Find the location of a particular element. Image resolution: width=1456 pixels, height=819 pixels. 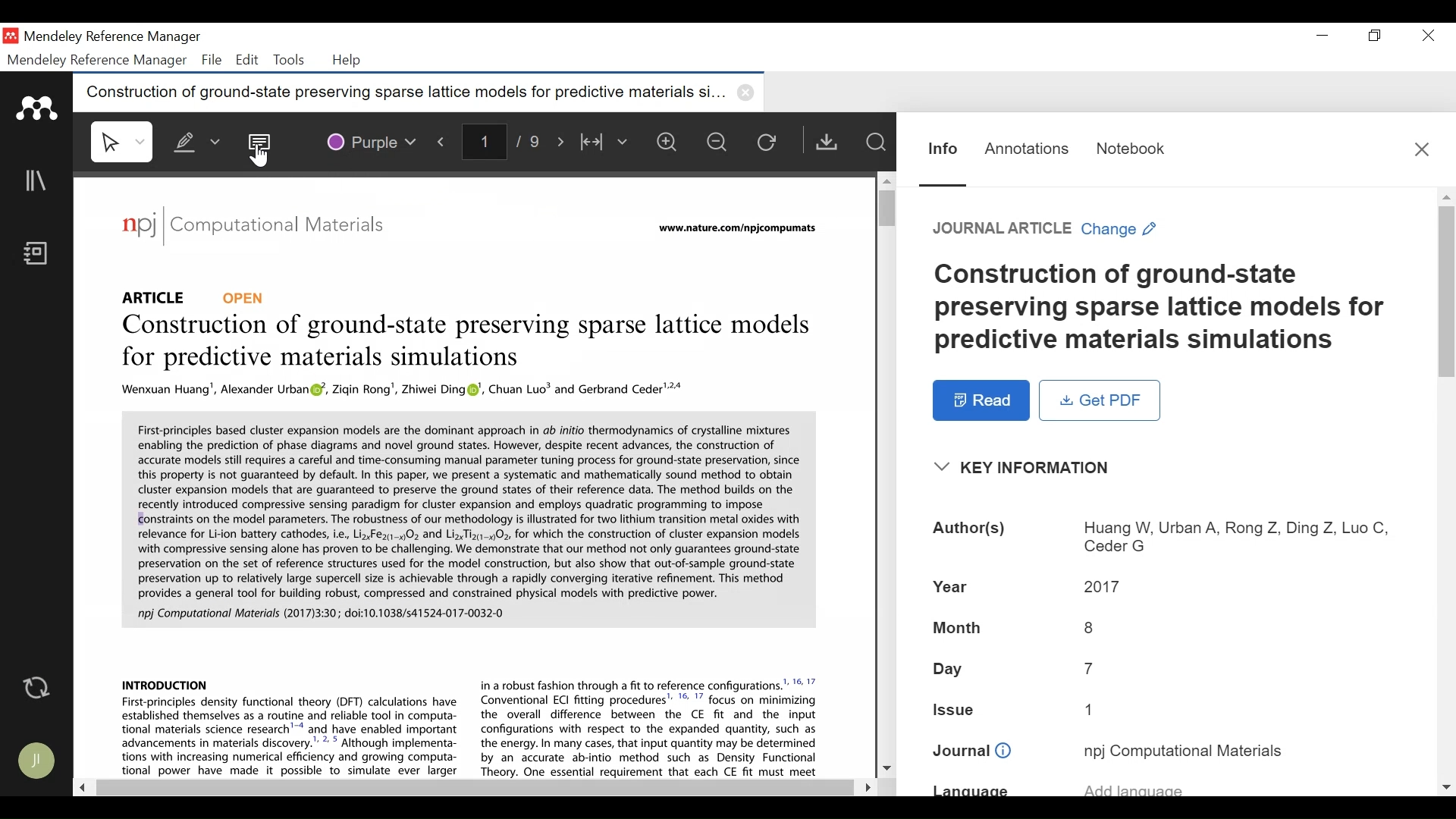

Issue is located at coordinates (1166, 713).